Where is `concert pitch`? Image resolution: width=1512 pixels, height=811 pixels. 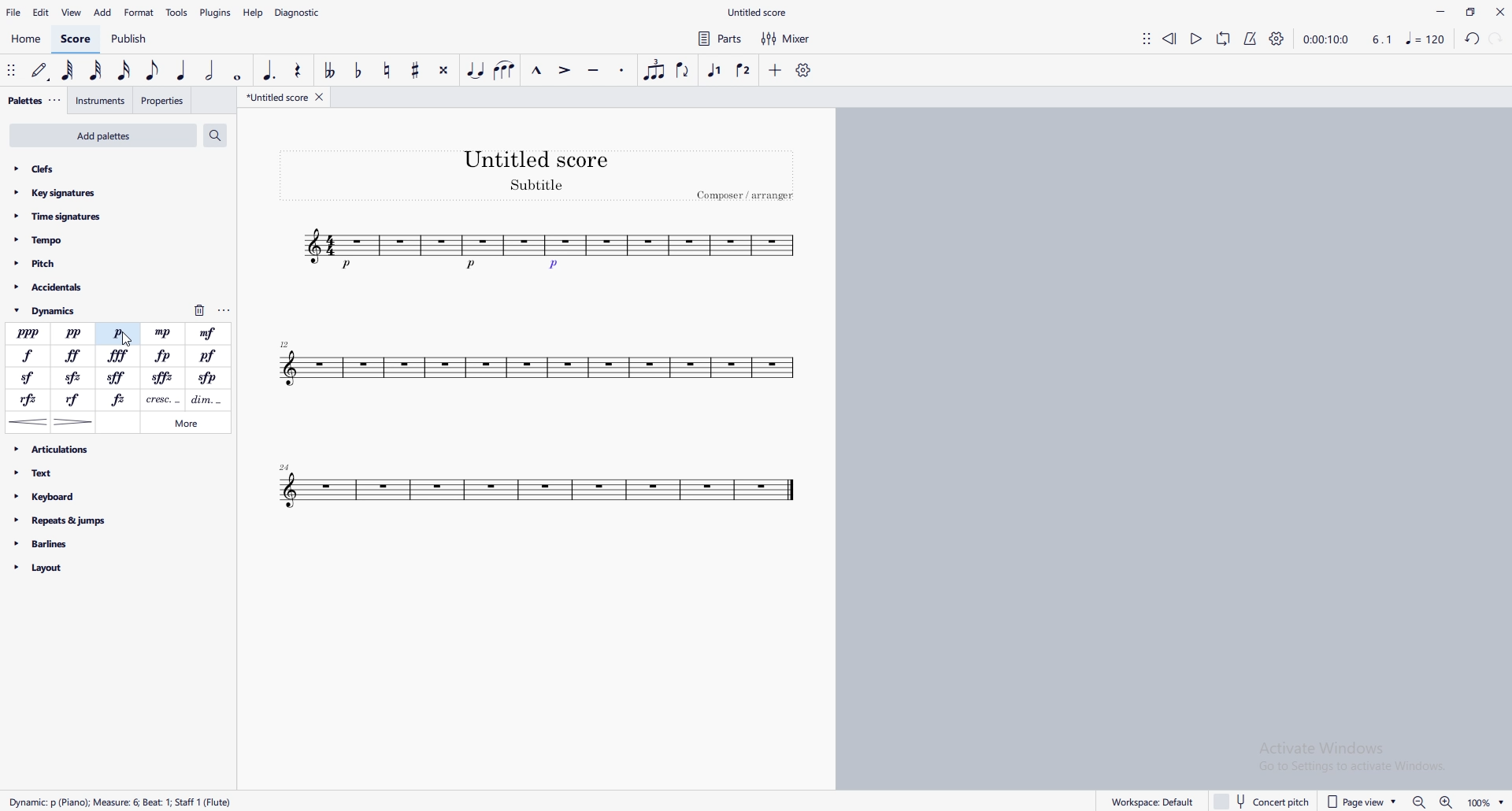
concert pitch is located at coordinates (1262, 801).